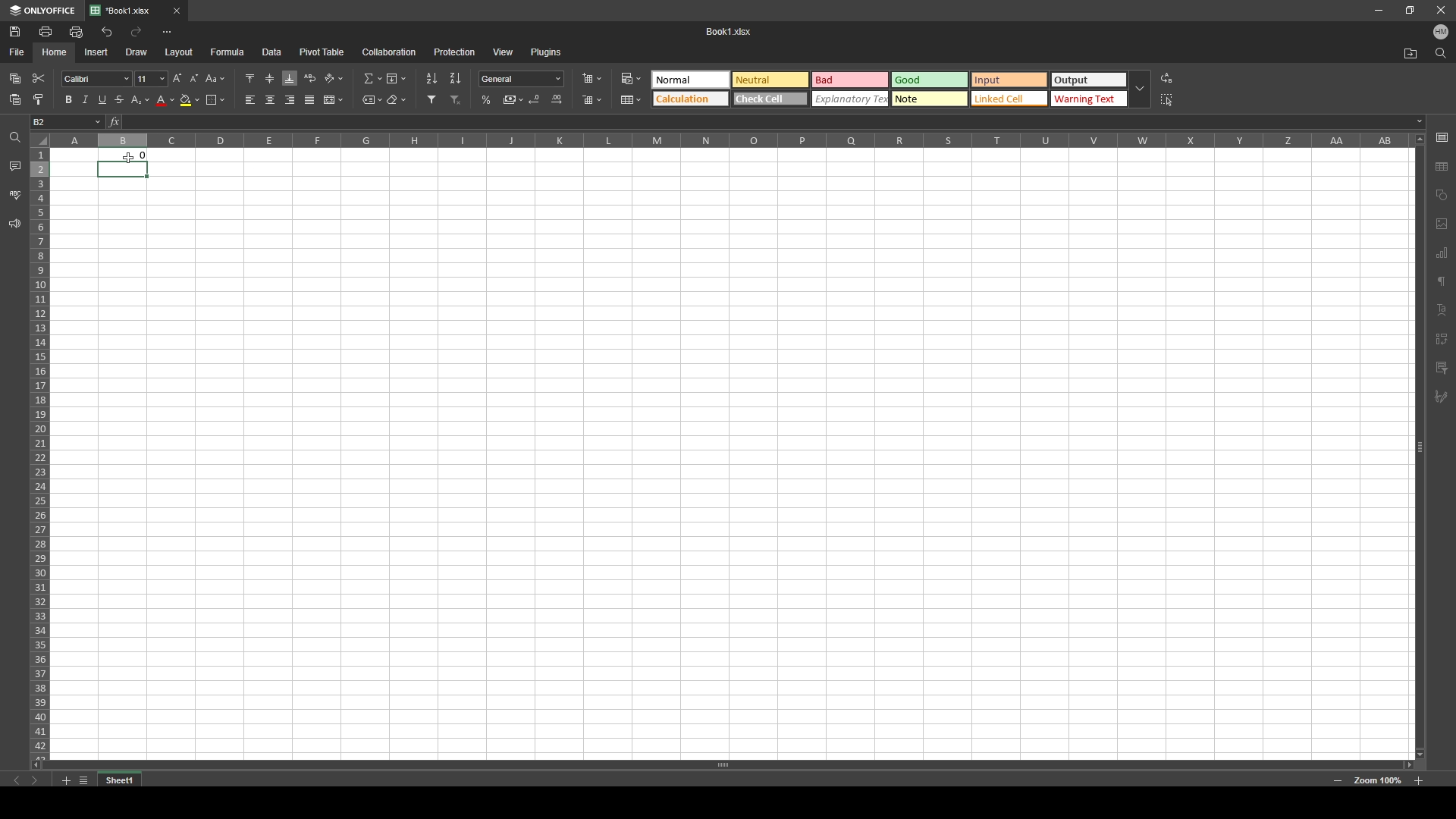 This screenshot has height=819, width=1456. I want to click on subscript, so click(141, 100).